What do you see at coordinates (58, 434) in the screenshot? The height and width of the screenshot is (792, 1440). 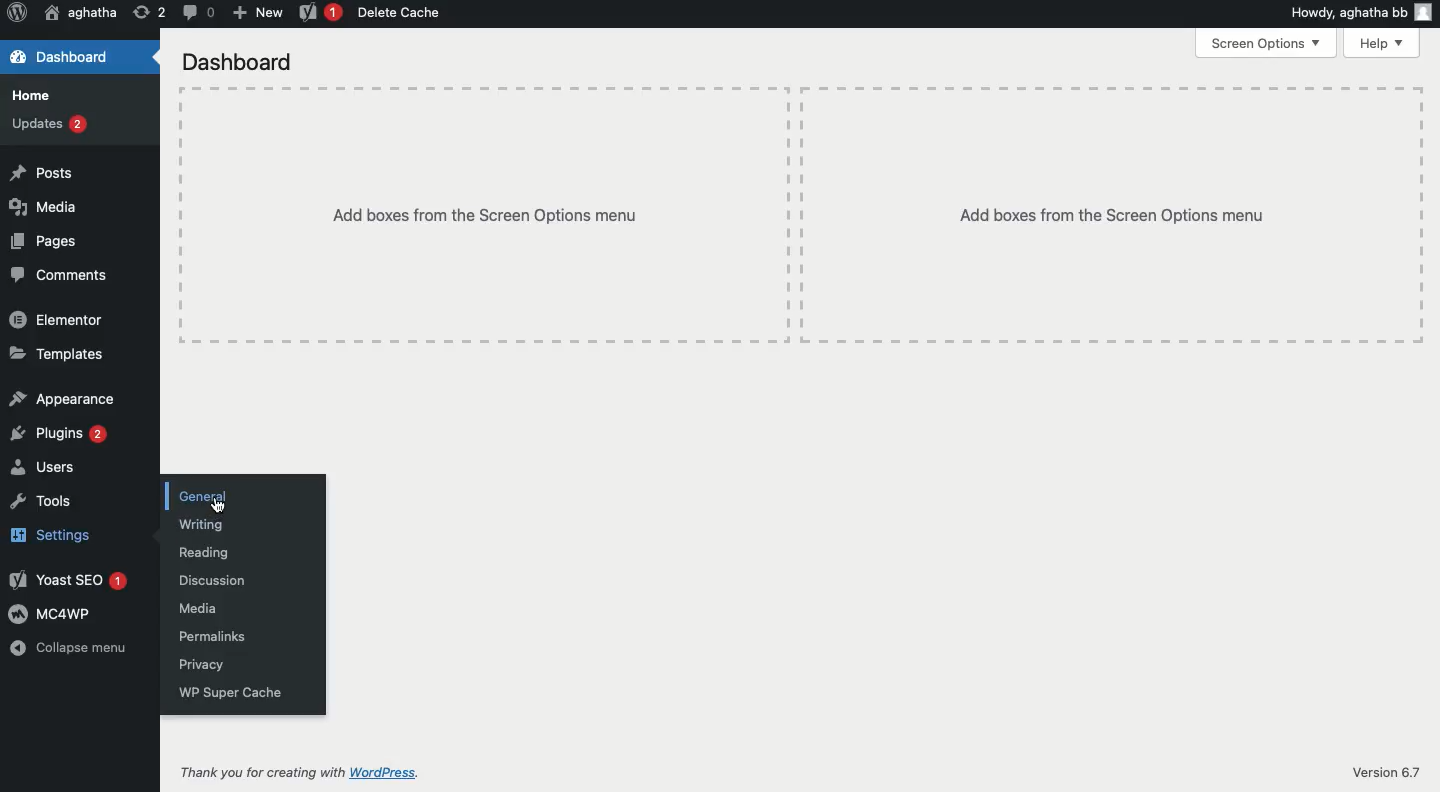 I see `Plugins` at bounding box center [58, 434].